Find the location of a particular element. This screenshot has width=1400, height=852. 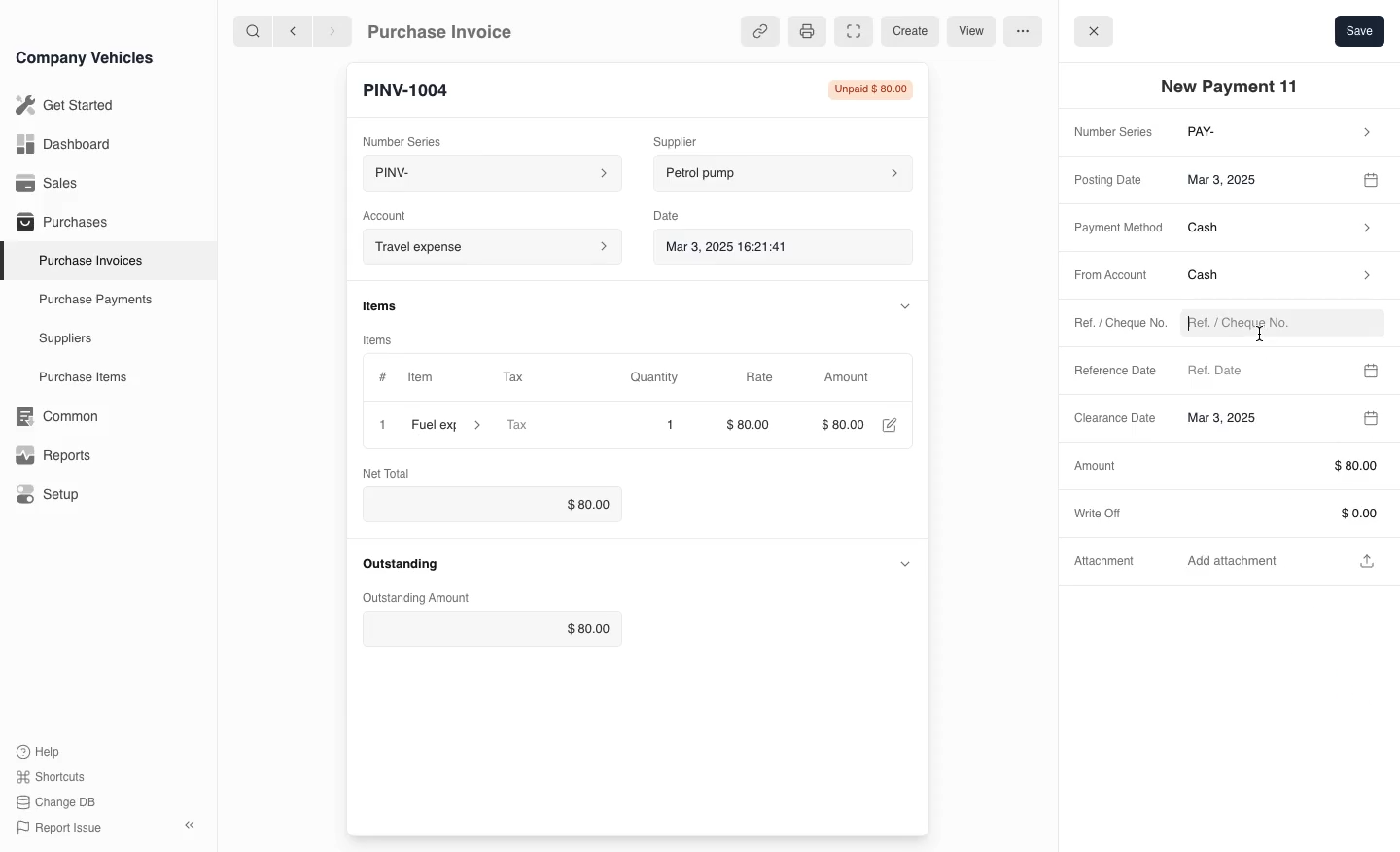

Number Series is located at coordinates (1109, 133).